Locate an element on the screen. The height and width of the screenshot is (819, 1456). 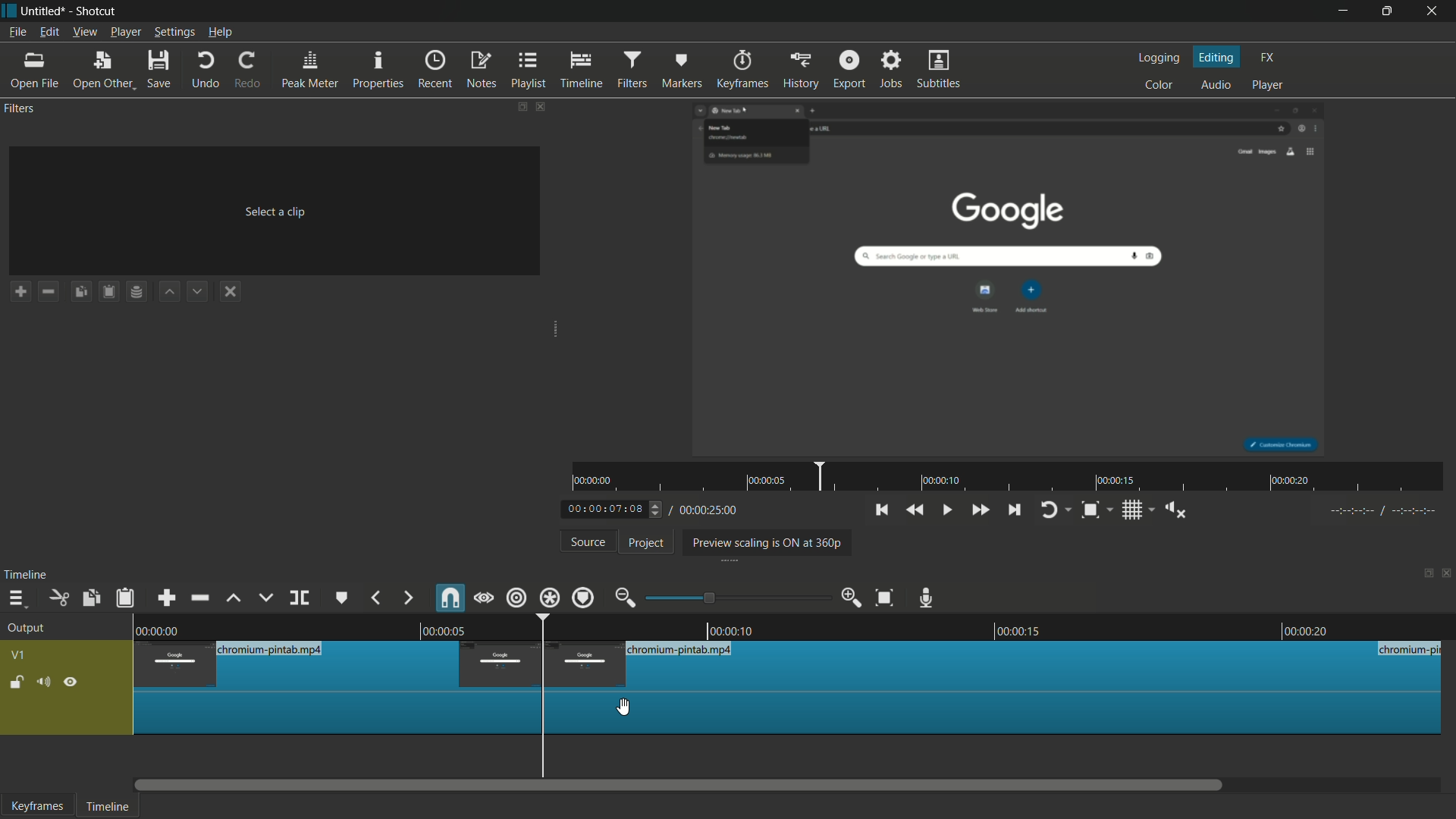
current time is located at coordinates (607, 510).